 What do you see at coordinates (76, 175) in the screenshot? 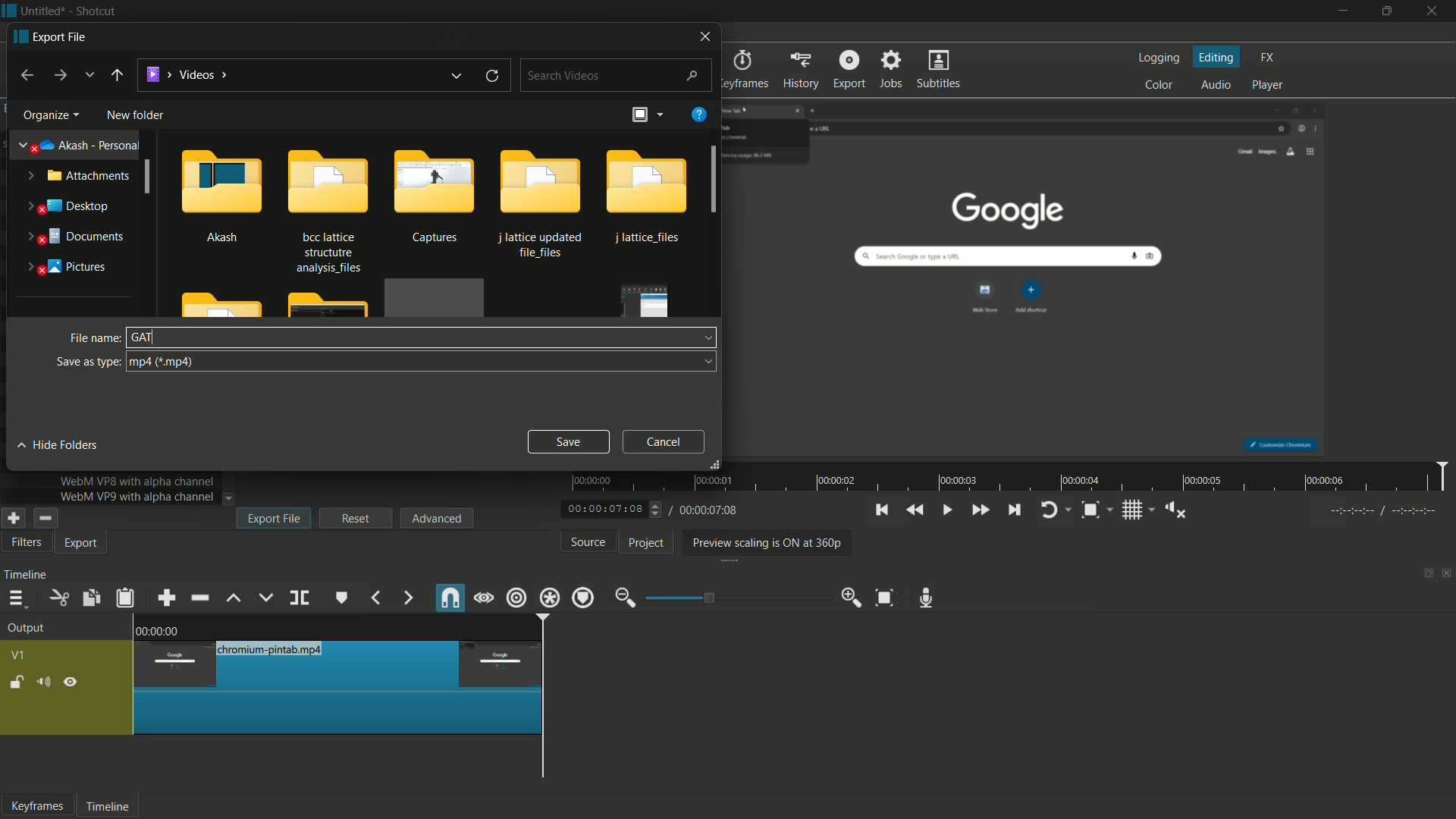
I see `attachments` at bounding box center [76, 175].